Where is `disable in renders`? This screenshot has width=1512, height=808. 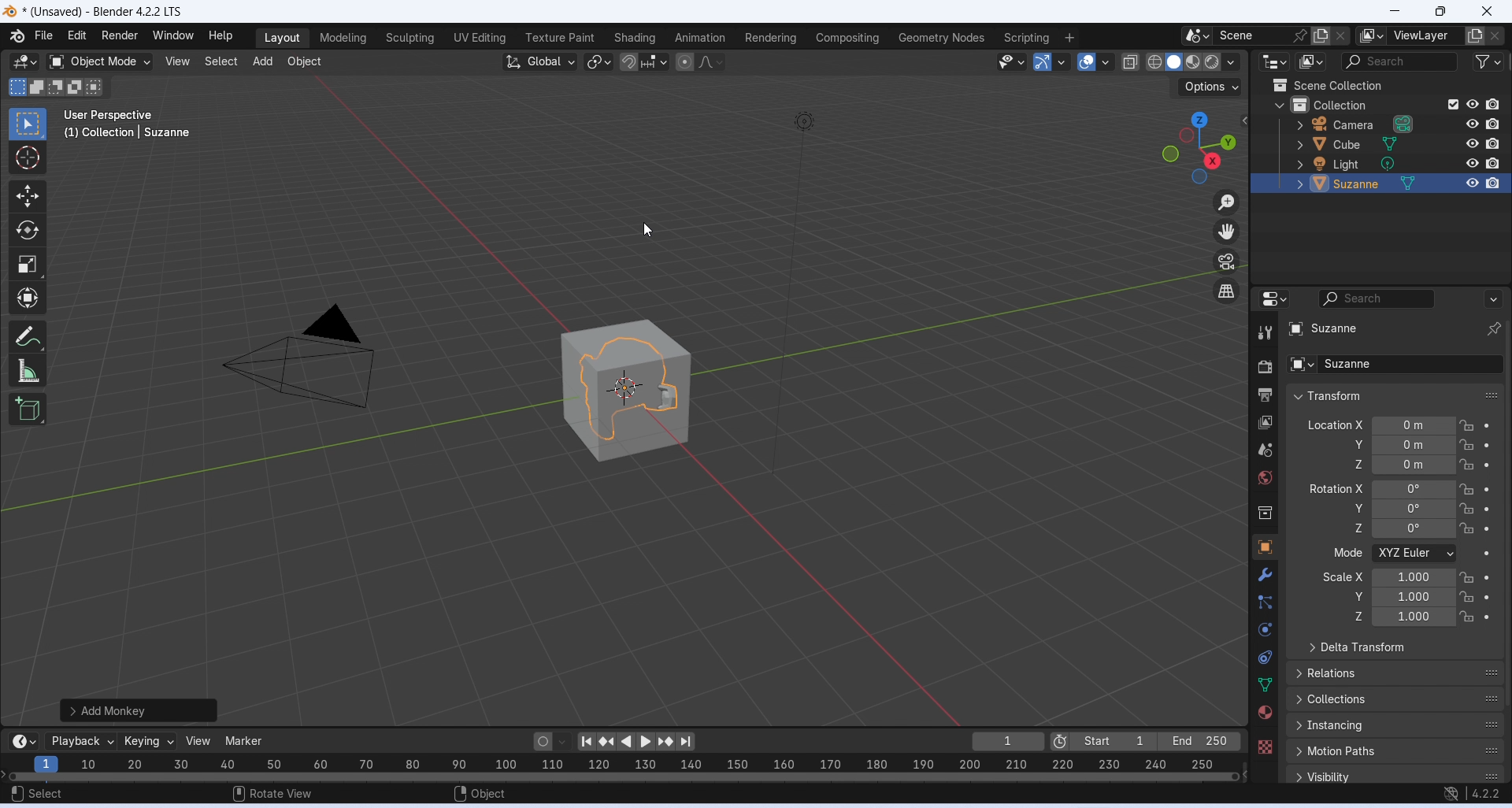
disable in renders is located at coordinates (1493, 162).